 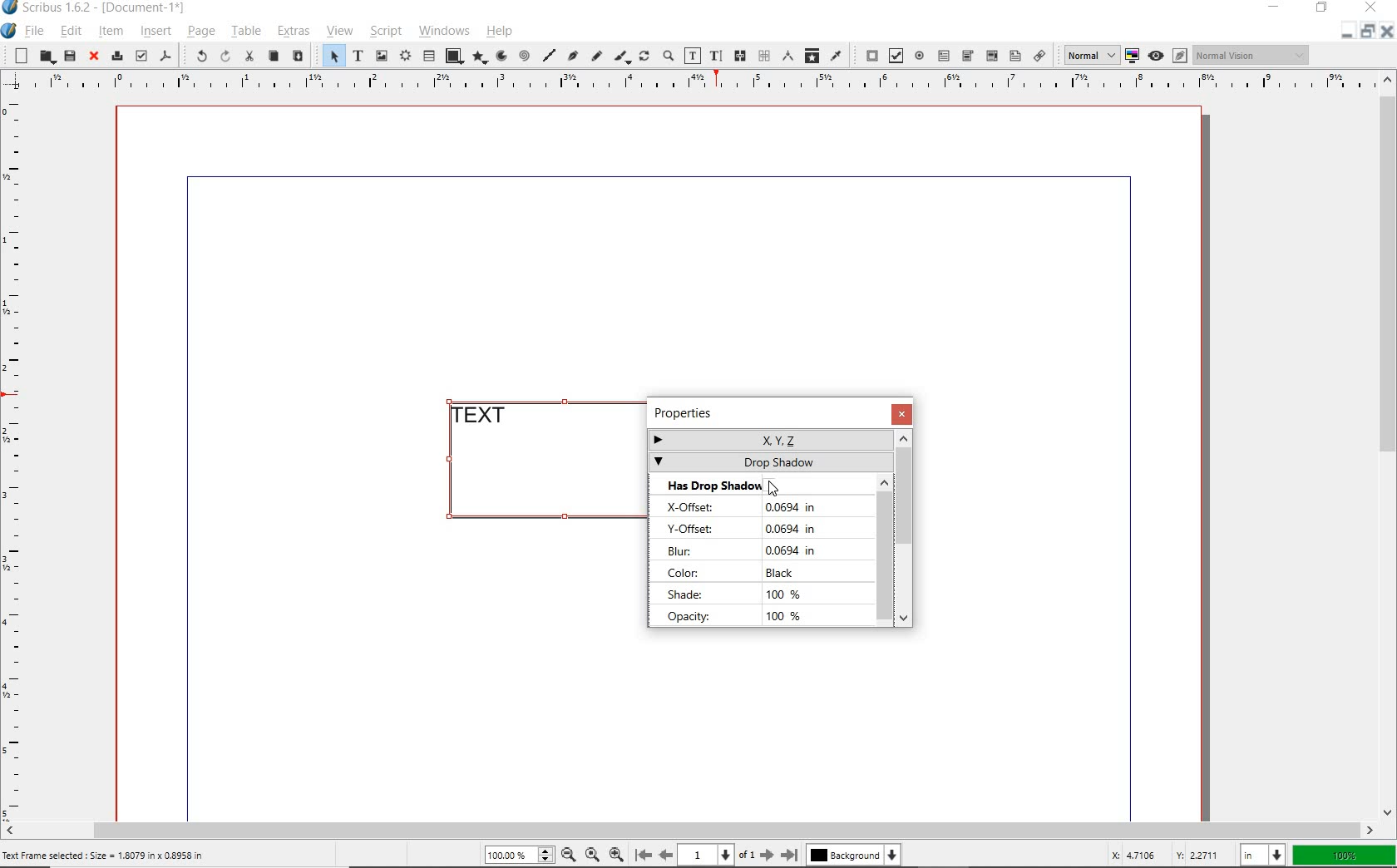 I want to click on pdf radio button, so click(x=920, y=56).